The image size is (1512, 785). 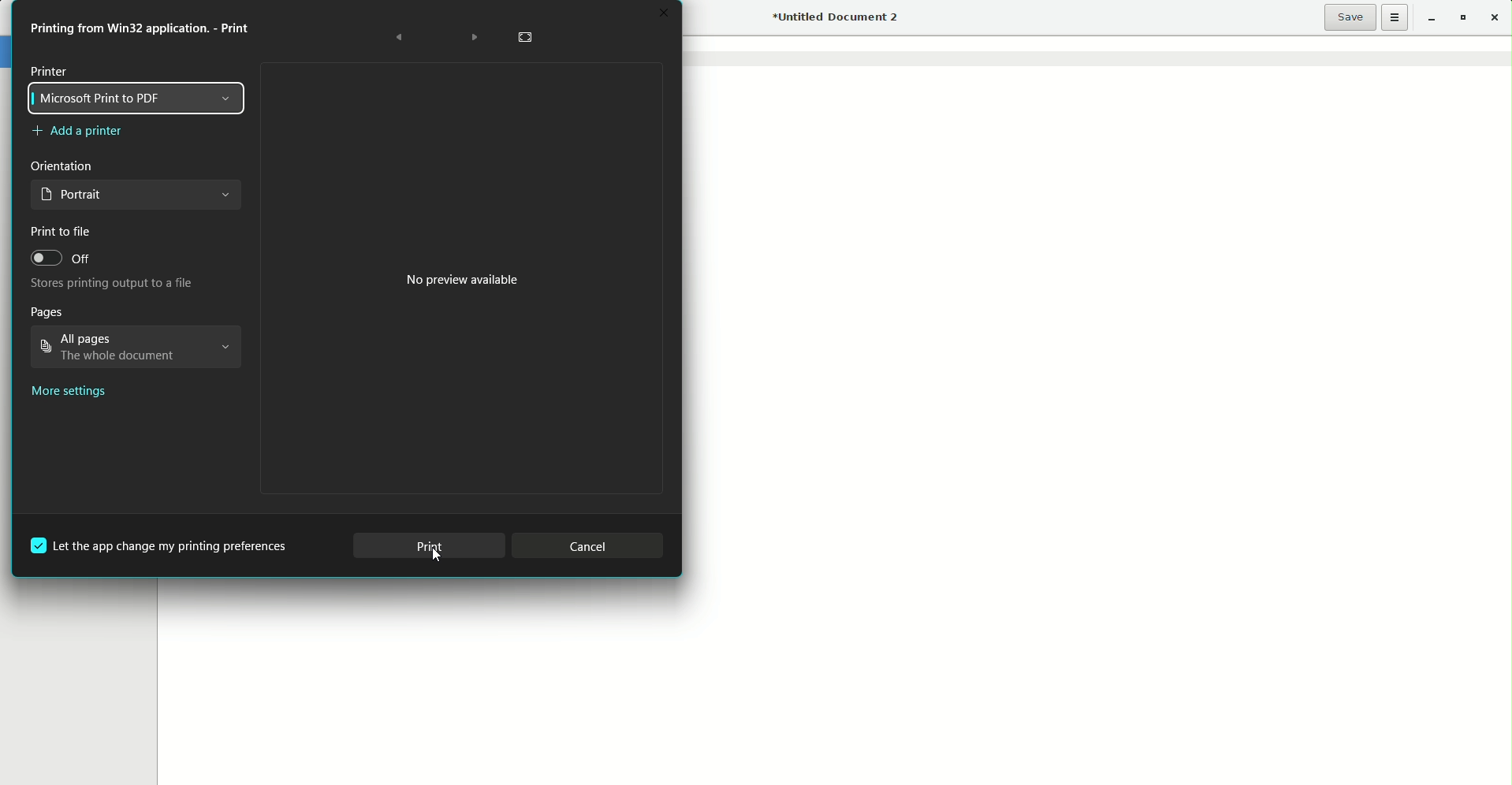 I want to click on Close, so click(x=661, y=13).